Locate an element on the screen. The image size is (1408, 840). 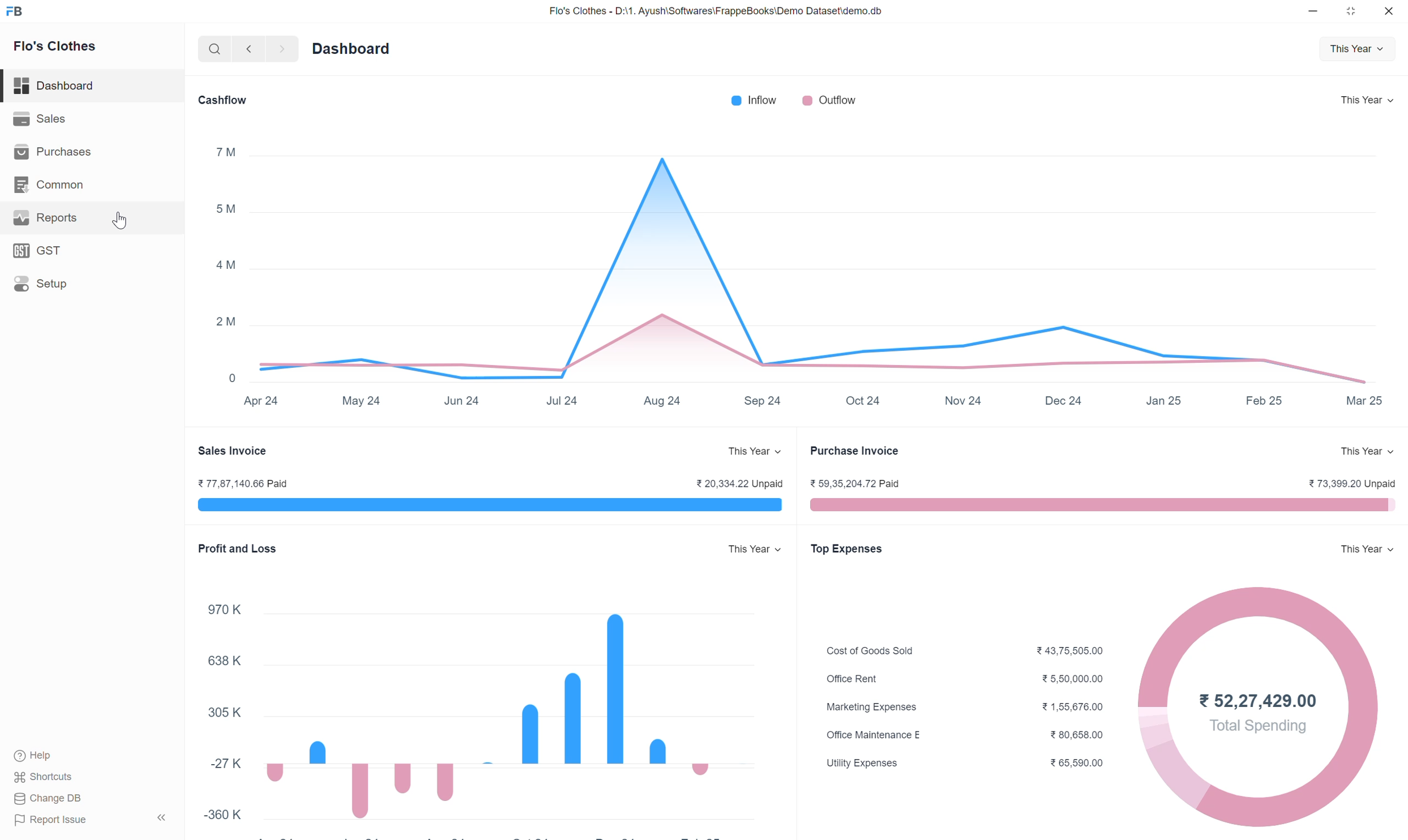
This Year is located at coordinates (1366, 548).